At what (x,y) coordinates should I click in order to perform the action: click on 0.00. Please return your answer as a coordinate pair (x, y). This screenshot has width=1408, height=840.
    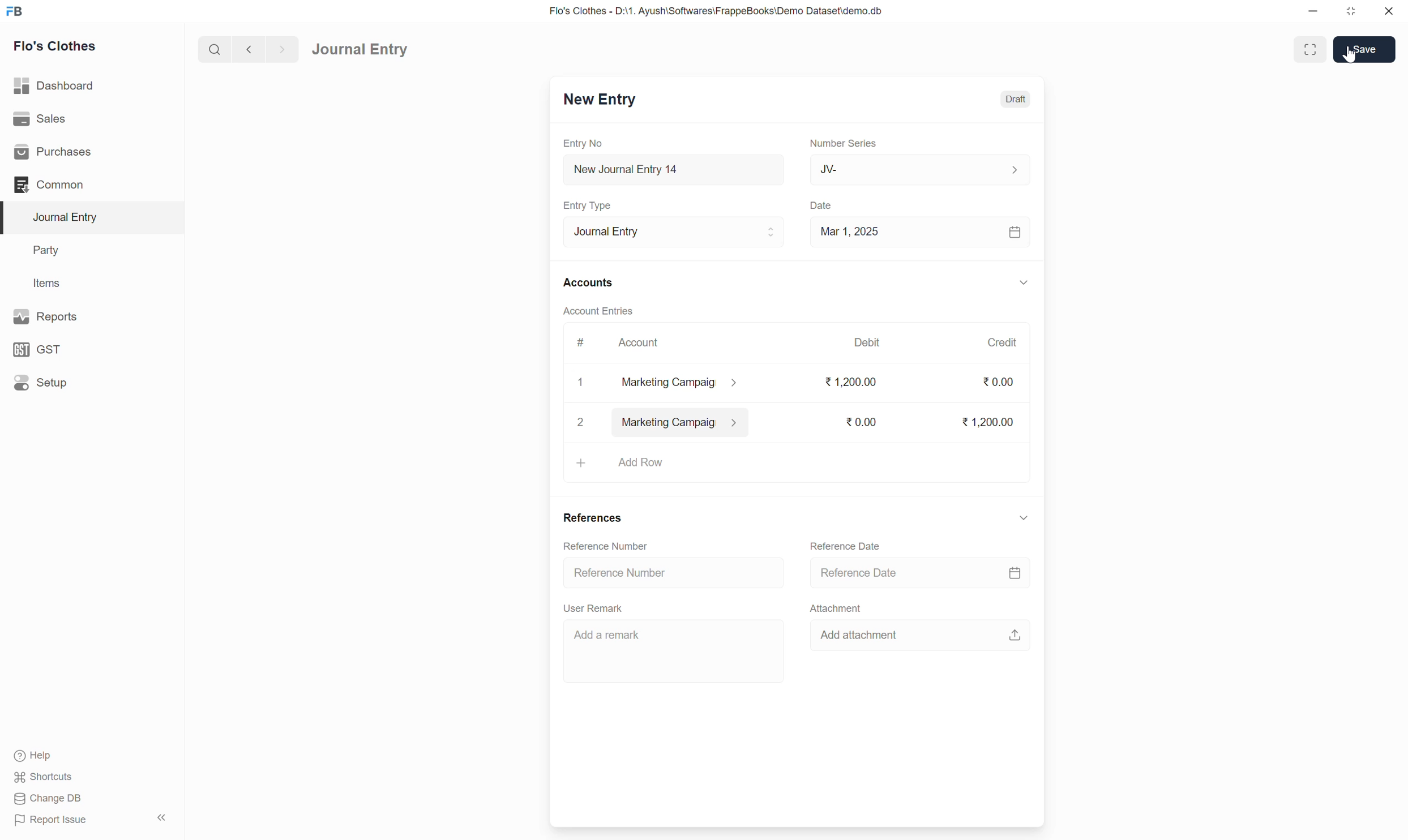
    Looking at the image, I should click on (999, 382).